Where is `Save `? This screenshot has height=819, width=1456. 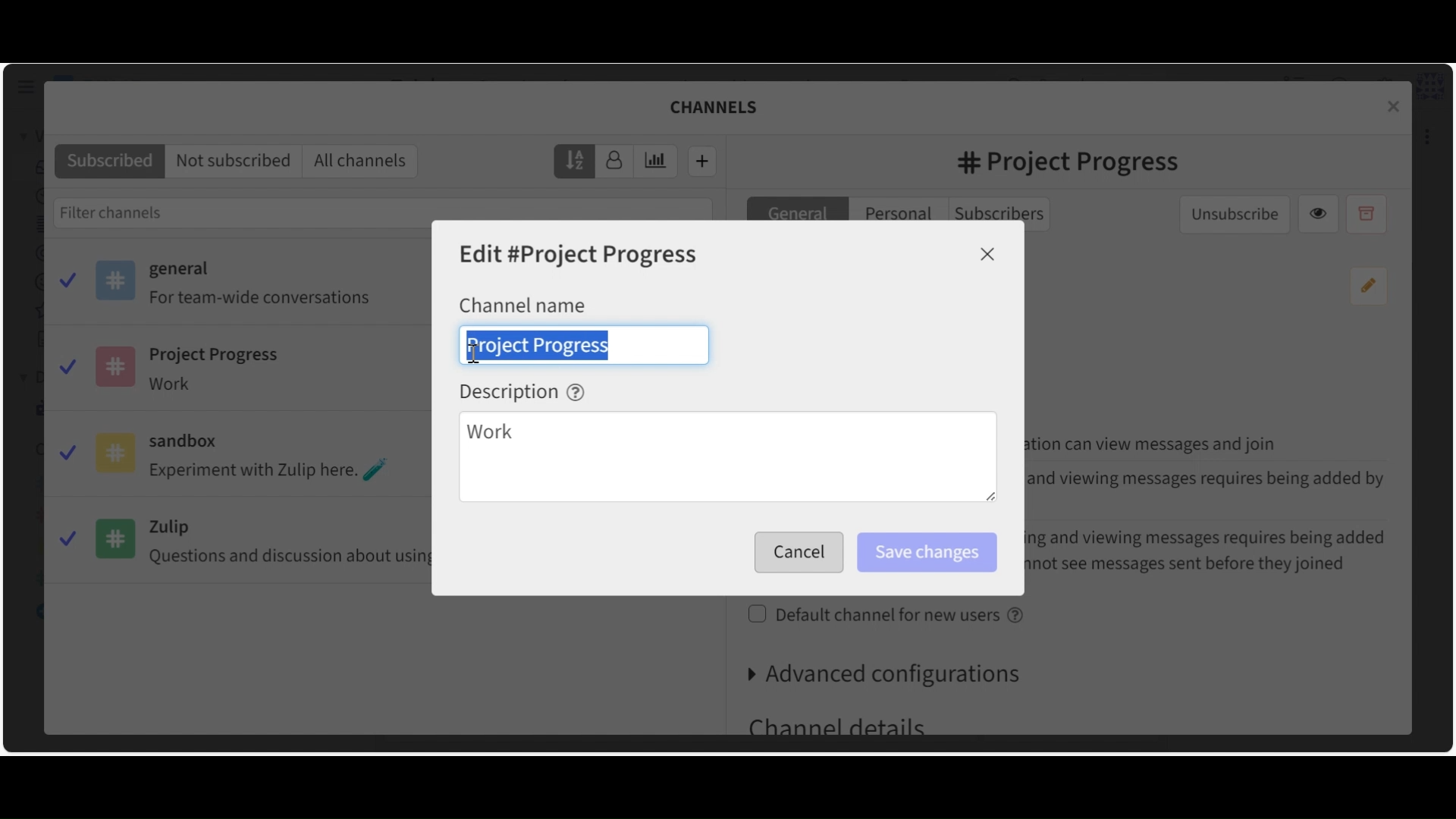
Save  is located at coordinates (795, 553).